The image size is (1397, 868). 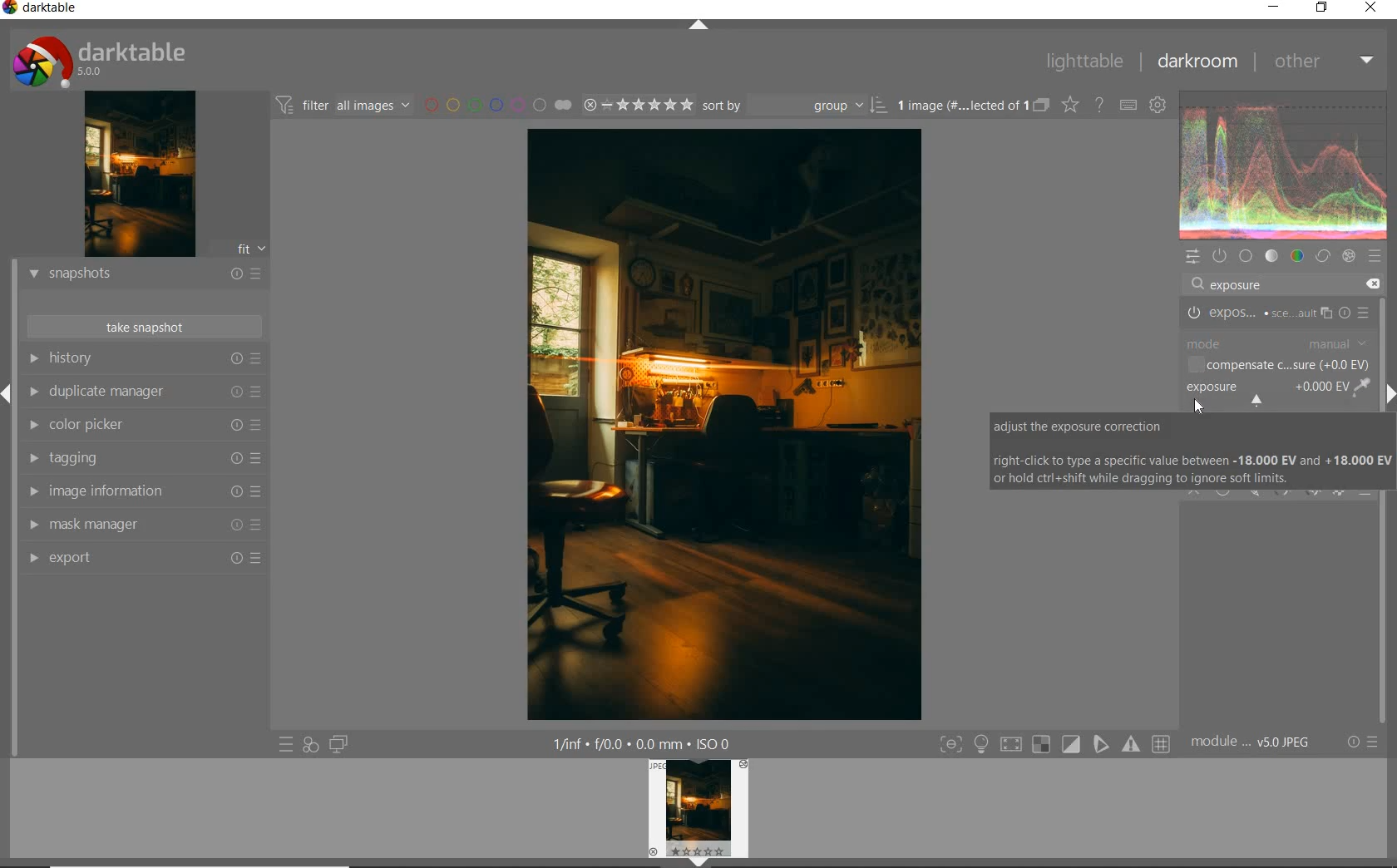 I want to click on minimize, so click(x=1273, y=8).